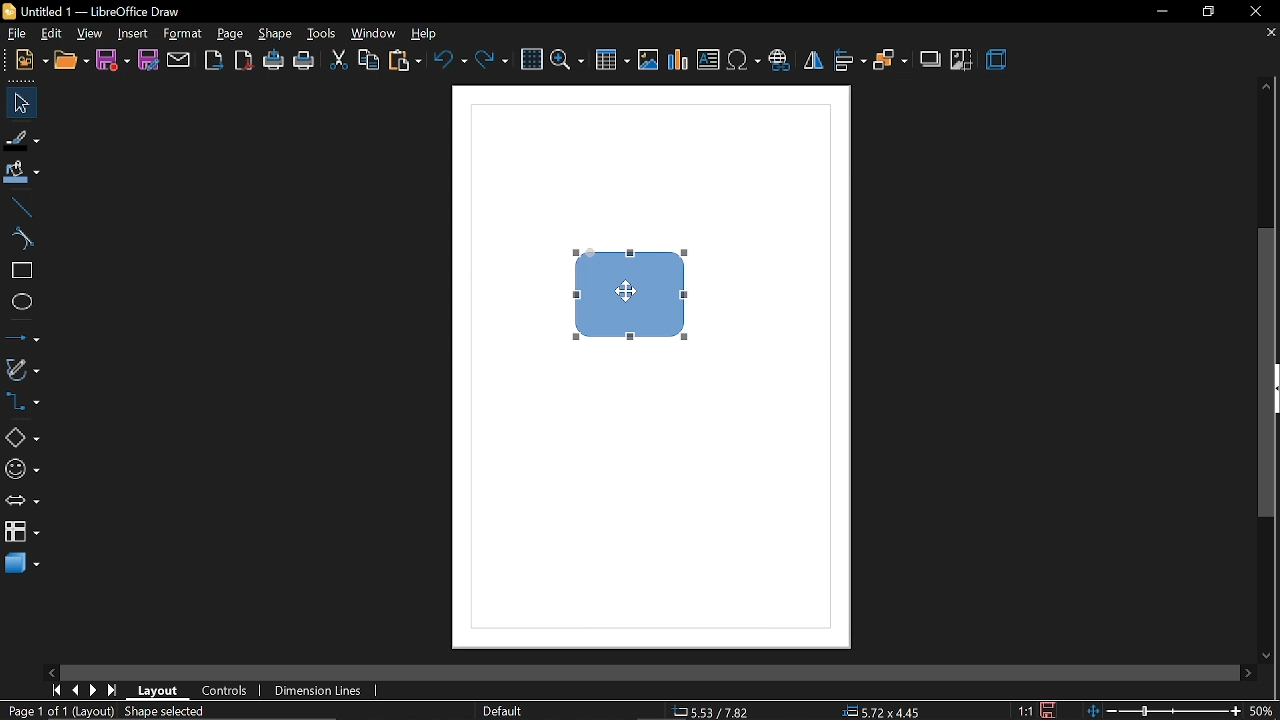 Image resolution: width=1280 pixels, height=720 pixels. Describe the element at coordinates (1268, 87) in the screenshot. I see `move up` at that location.